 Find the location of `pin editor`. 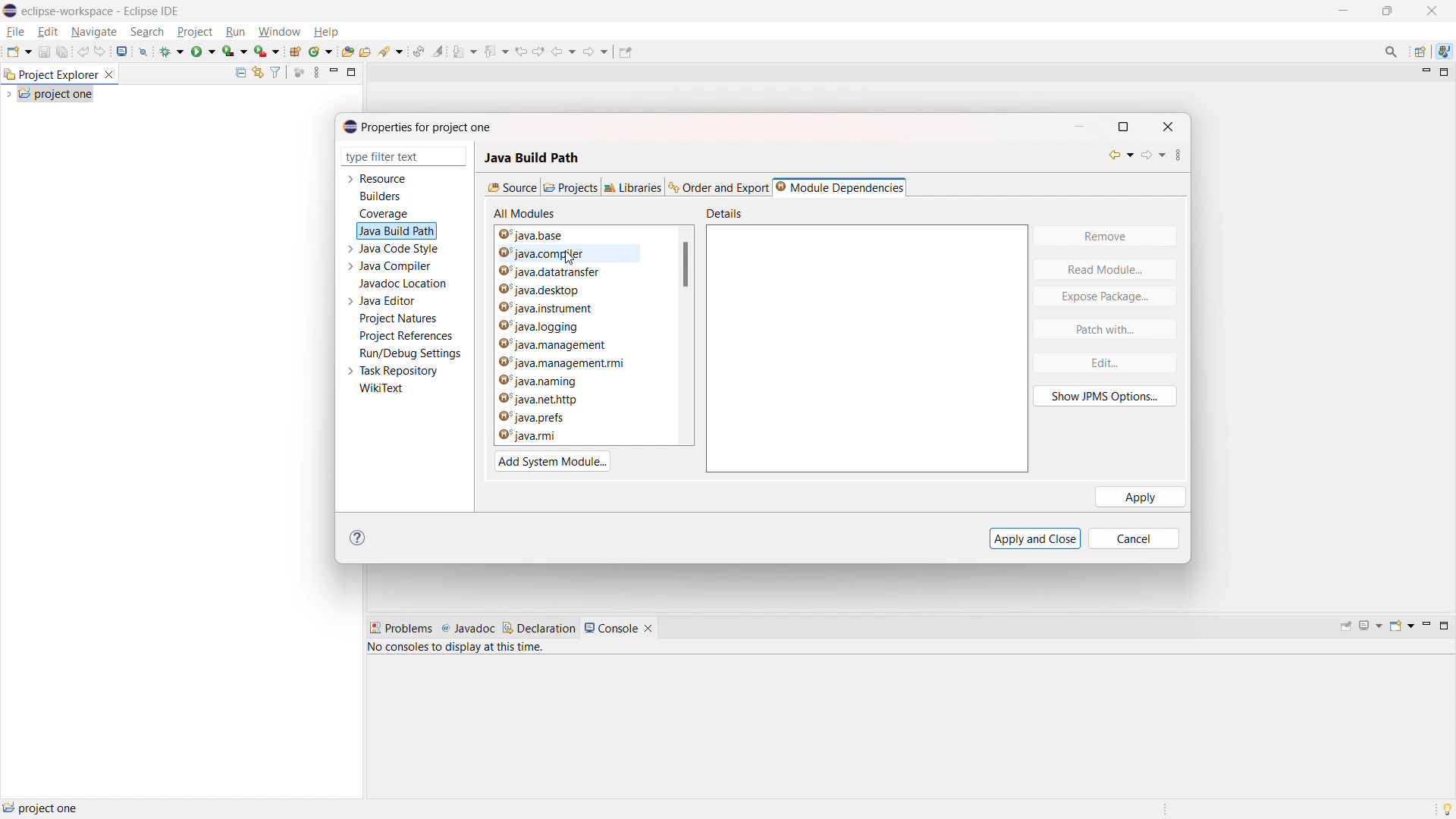

pin editor is located at coordinates (626, 52).